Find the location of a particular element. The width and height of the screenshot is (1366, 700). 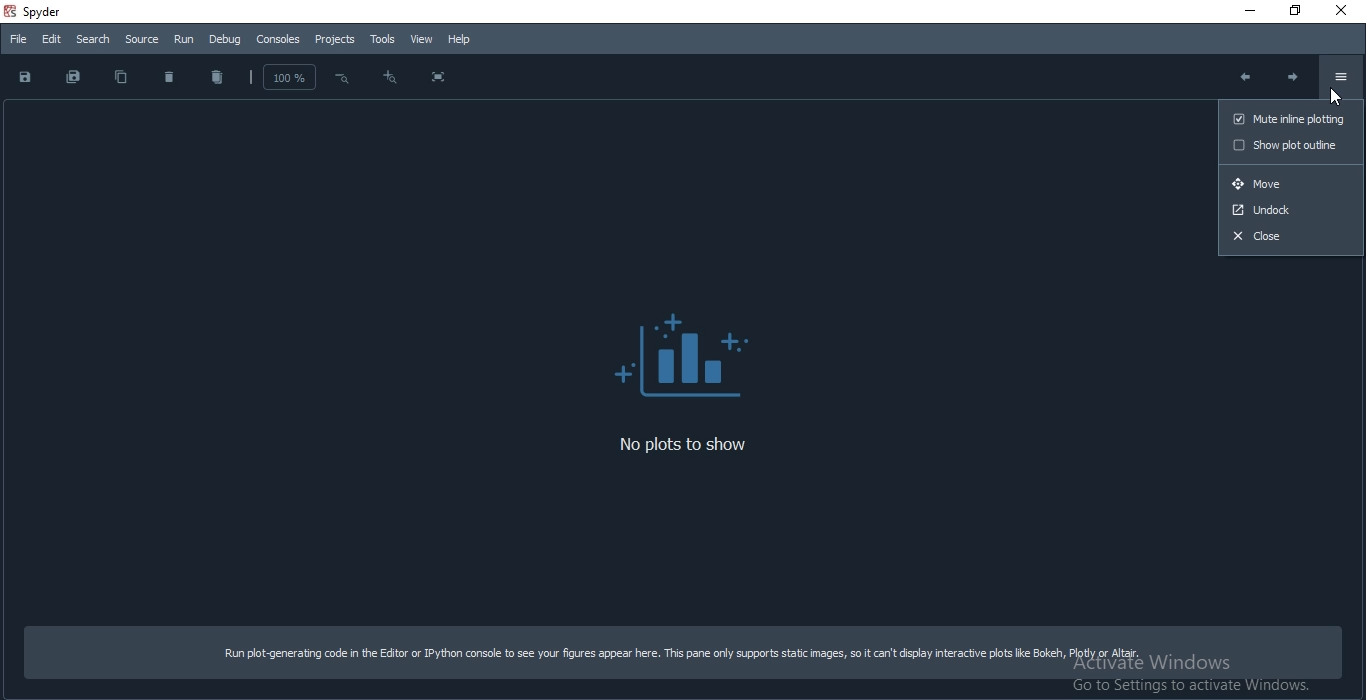

No plots to show is located at coordinates (693, 447).